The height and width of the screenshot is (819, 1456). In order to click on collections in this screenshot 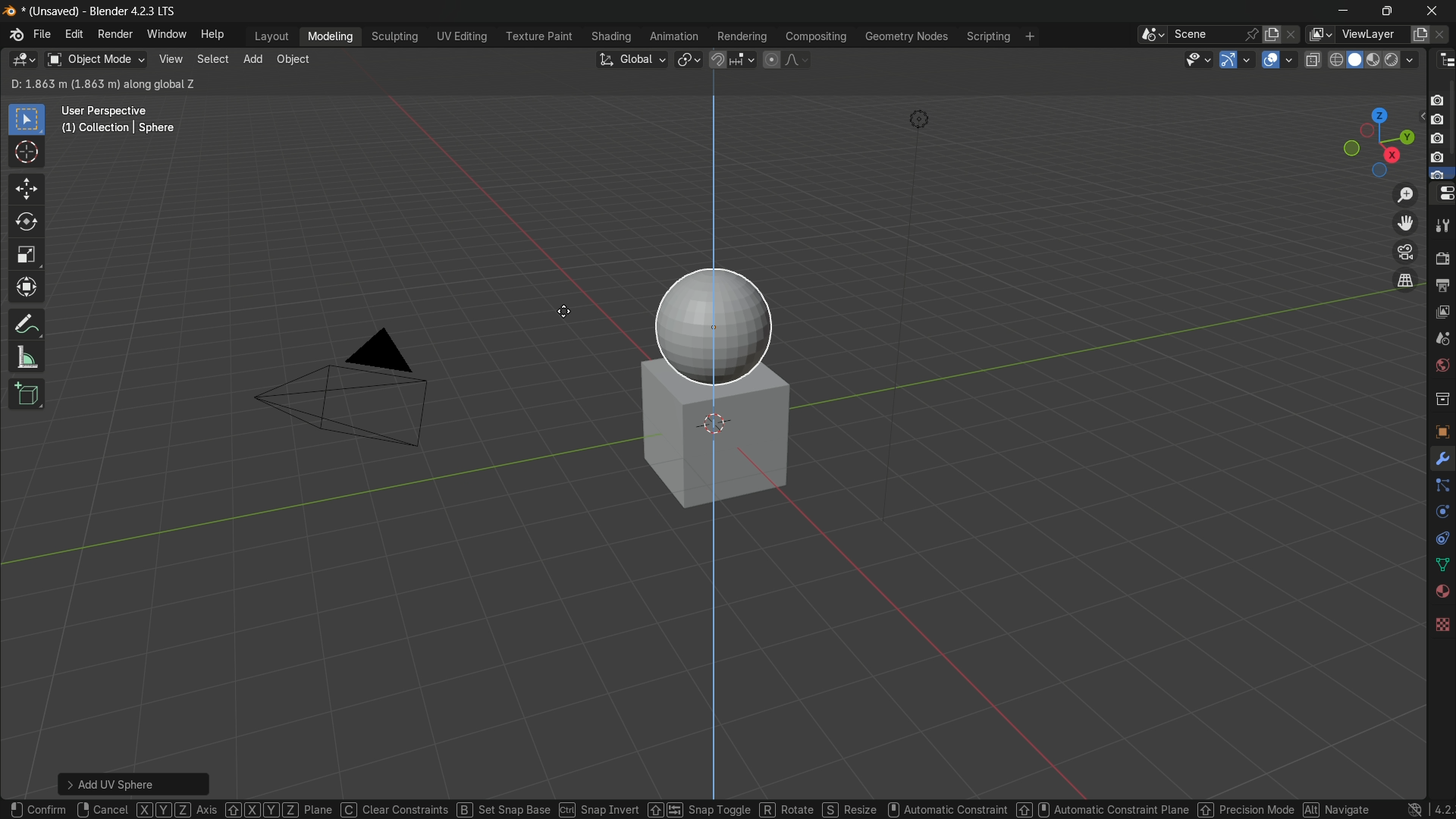, I will do `click(1441, 399)`.